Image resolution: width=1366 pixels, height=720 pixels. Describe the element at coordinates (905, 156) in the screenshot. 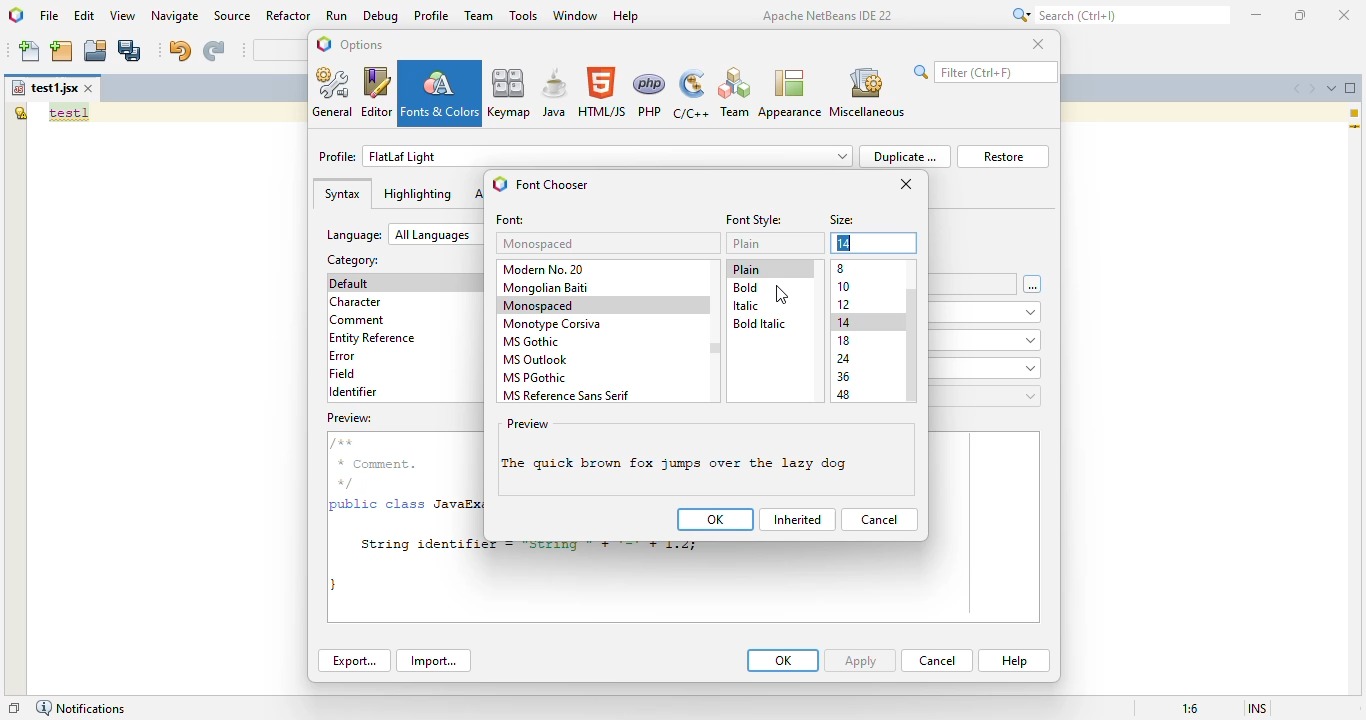

I see `duplicate` at that location.